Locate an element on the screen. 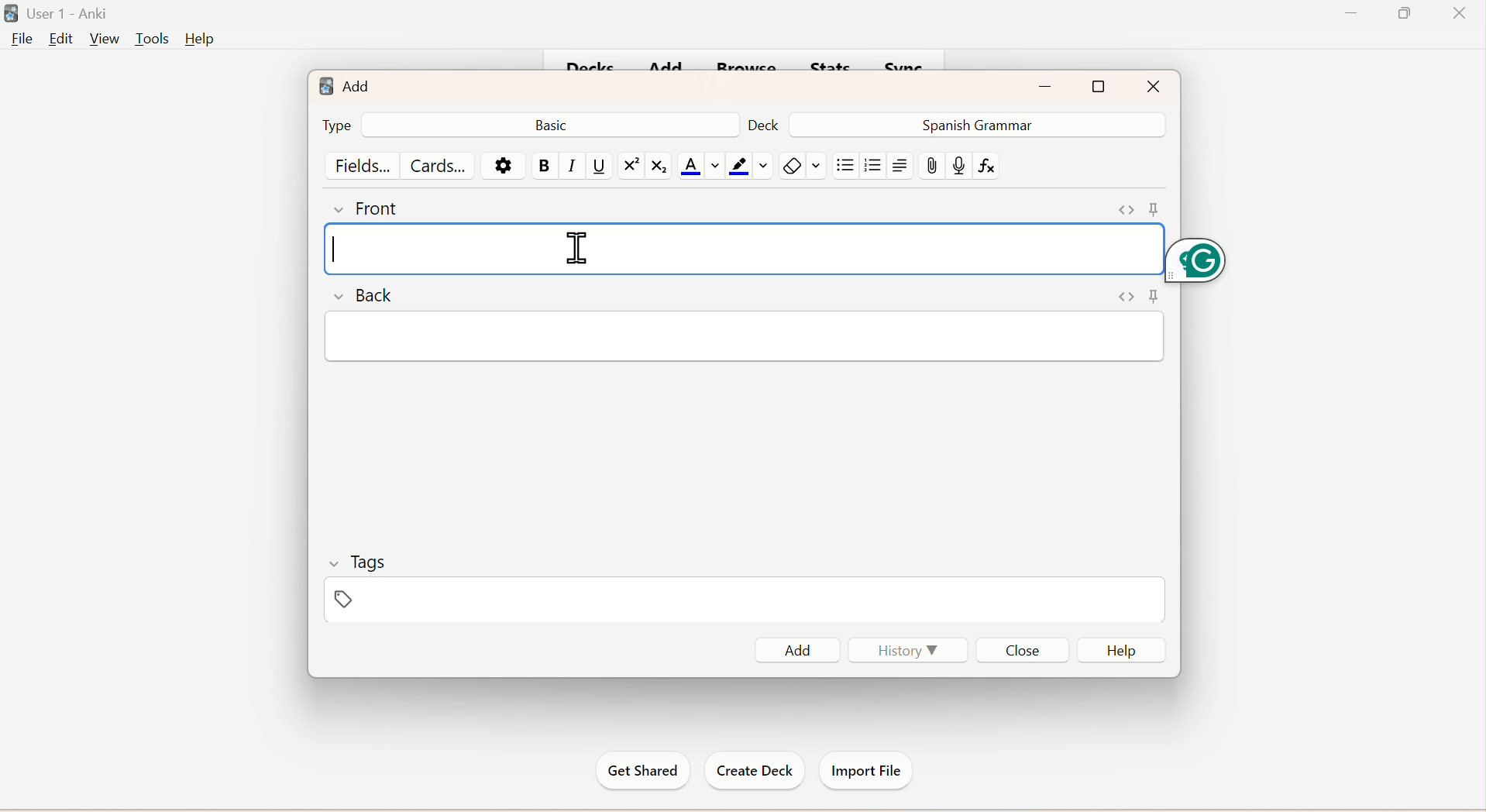  Attach is located at coordinates (934, 167).